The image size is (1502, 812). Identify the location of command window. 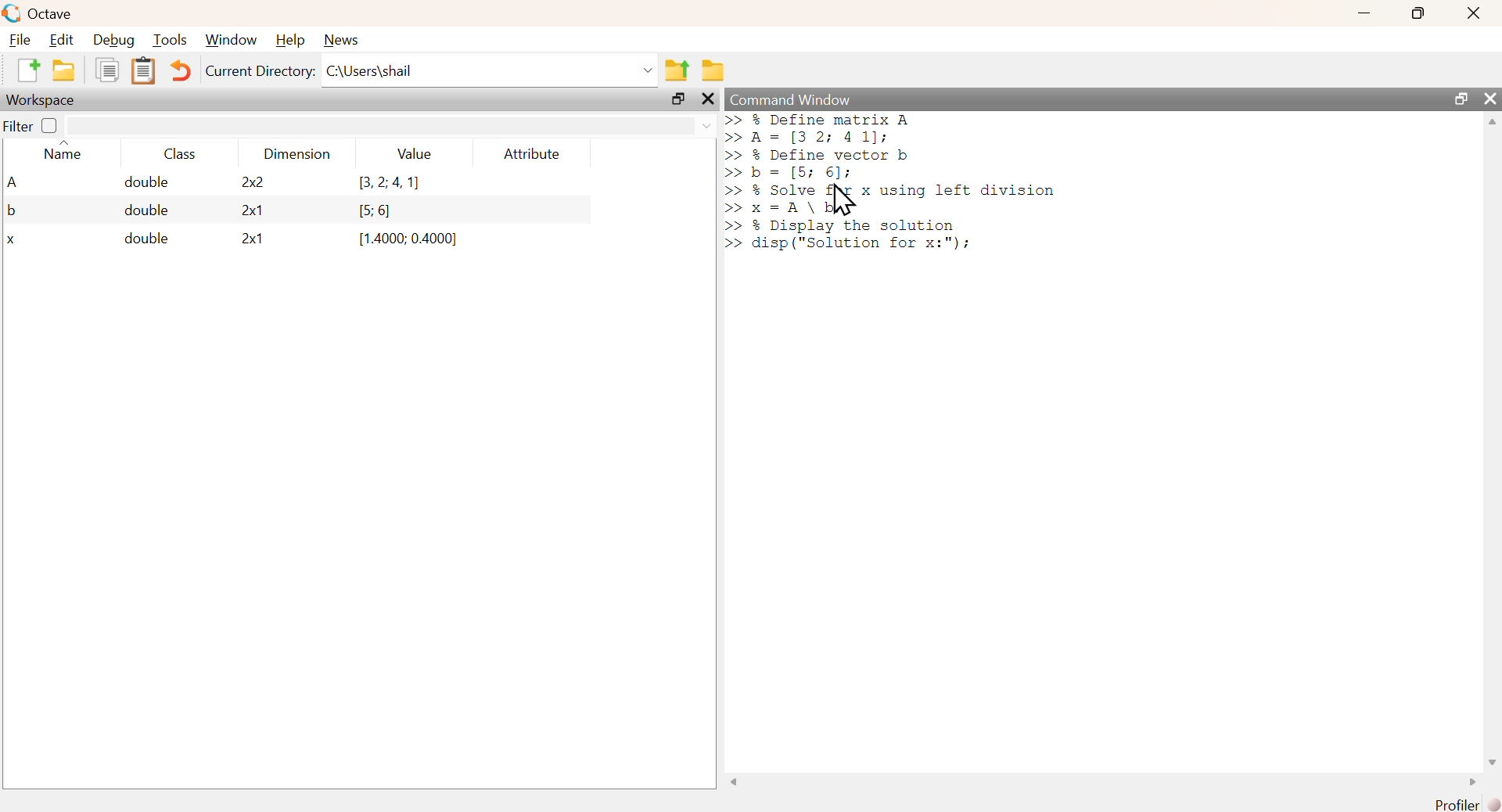
(792, 99).